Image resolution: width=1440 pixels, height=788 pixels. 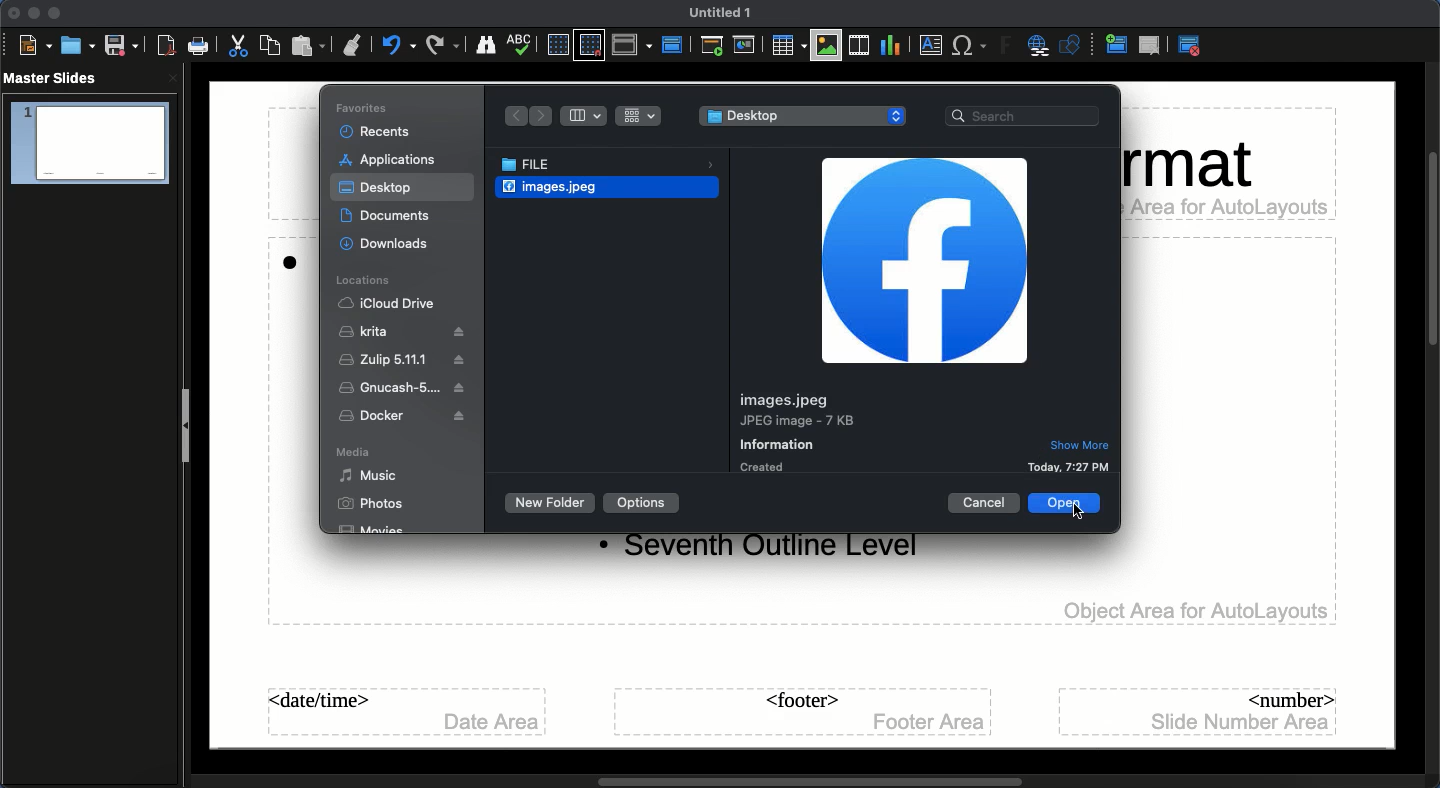 What do you see at coordinates (54, 14) in the screenshot?
I see `Maximize` at bounding box center [54, 14].